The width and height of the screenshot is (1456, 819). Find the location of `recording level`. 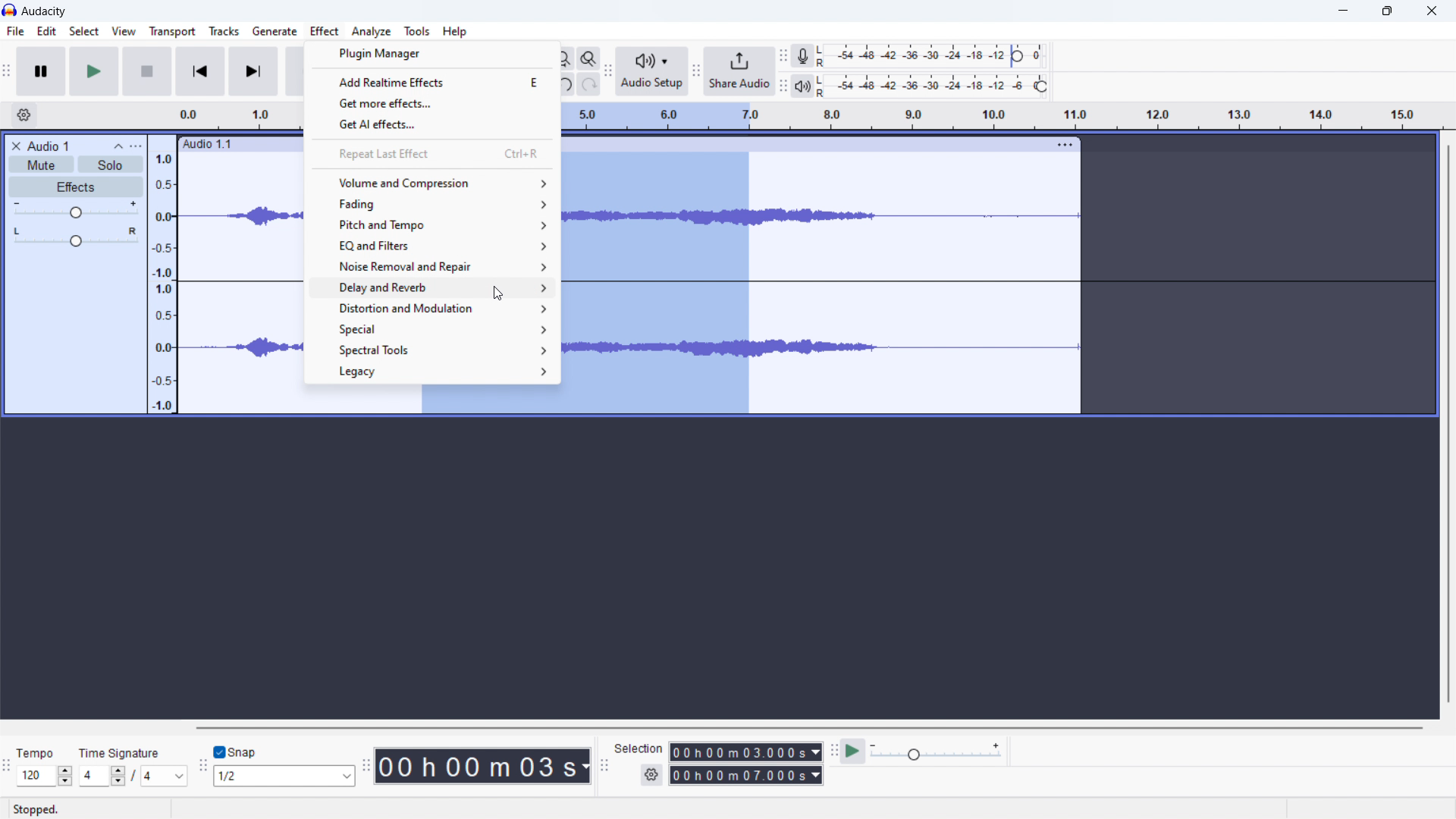

recording level is located at coordinates (934, 57).